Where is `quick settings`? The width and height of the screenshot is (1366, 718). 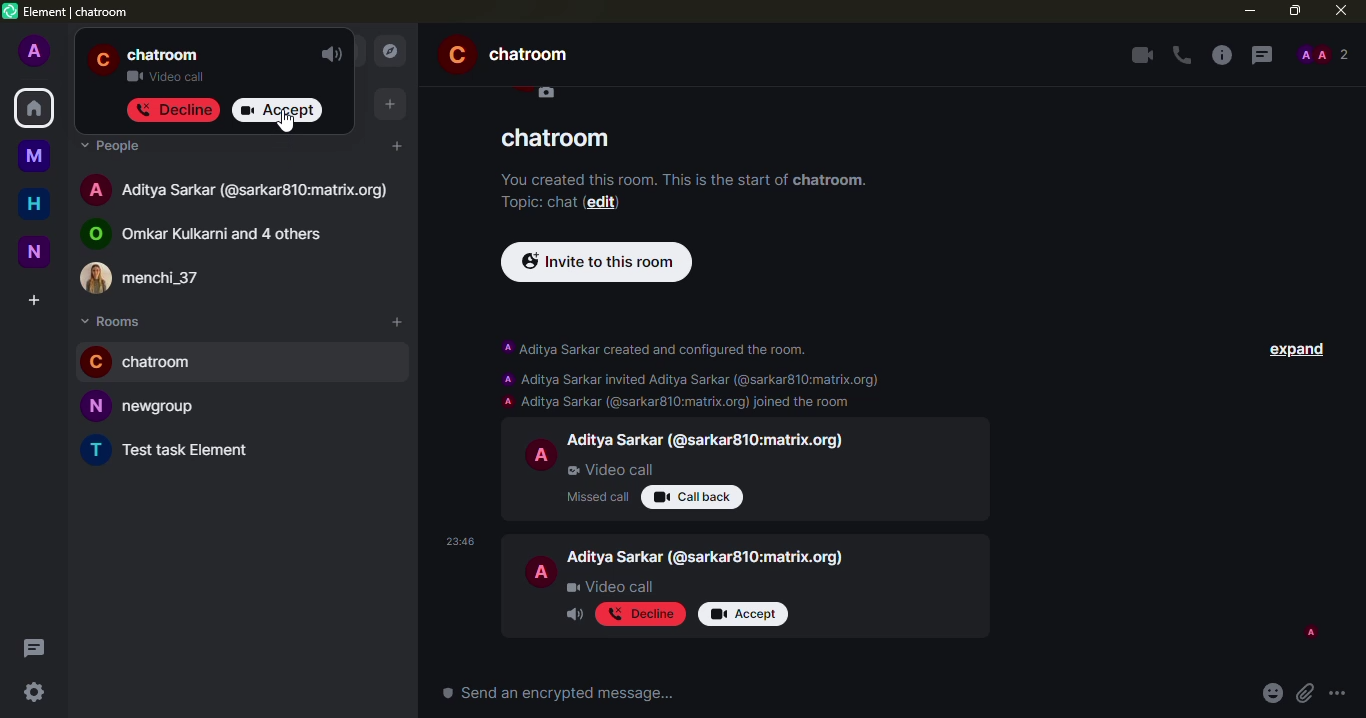
quick settings is located at coordinates (35, 696).